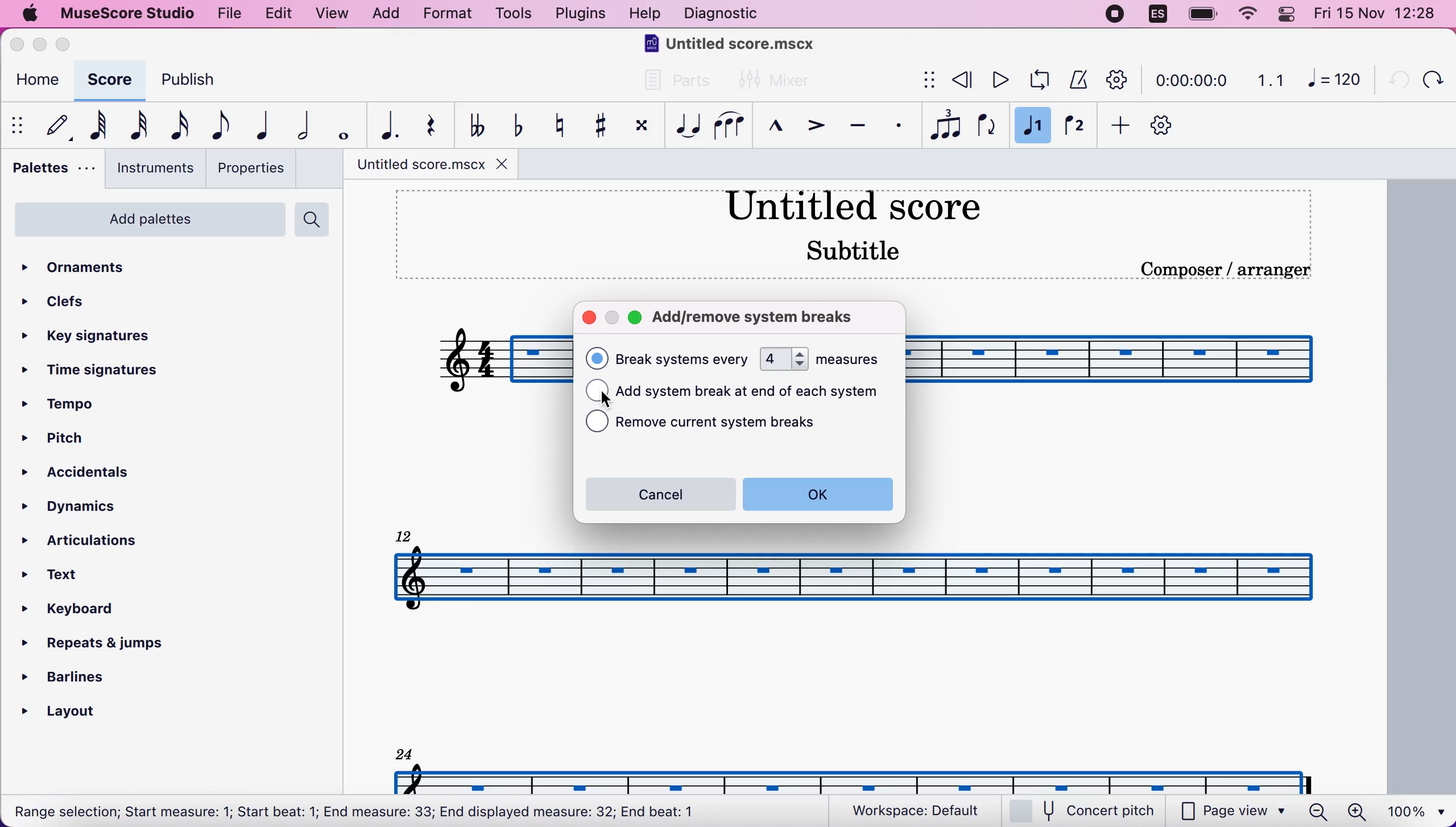 The image size is (1456, 827). Describe the element at coordinates (512, 15) in the screenshot. I see `tools` at that location.